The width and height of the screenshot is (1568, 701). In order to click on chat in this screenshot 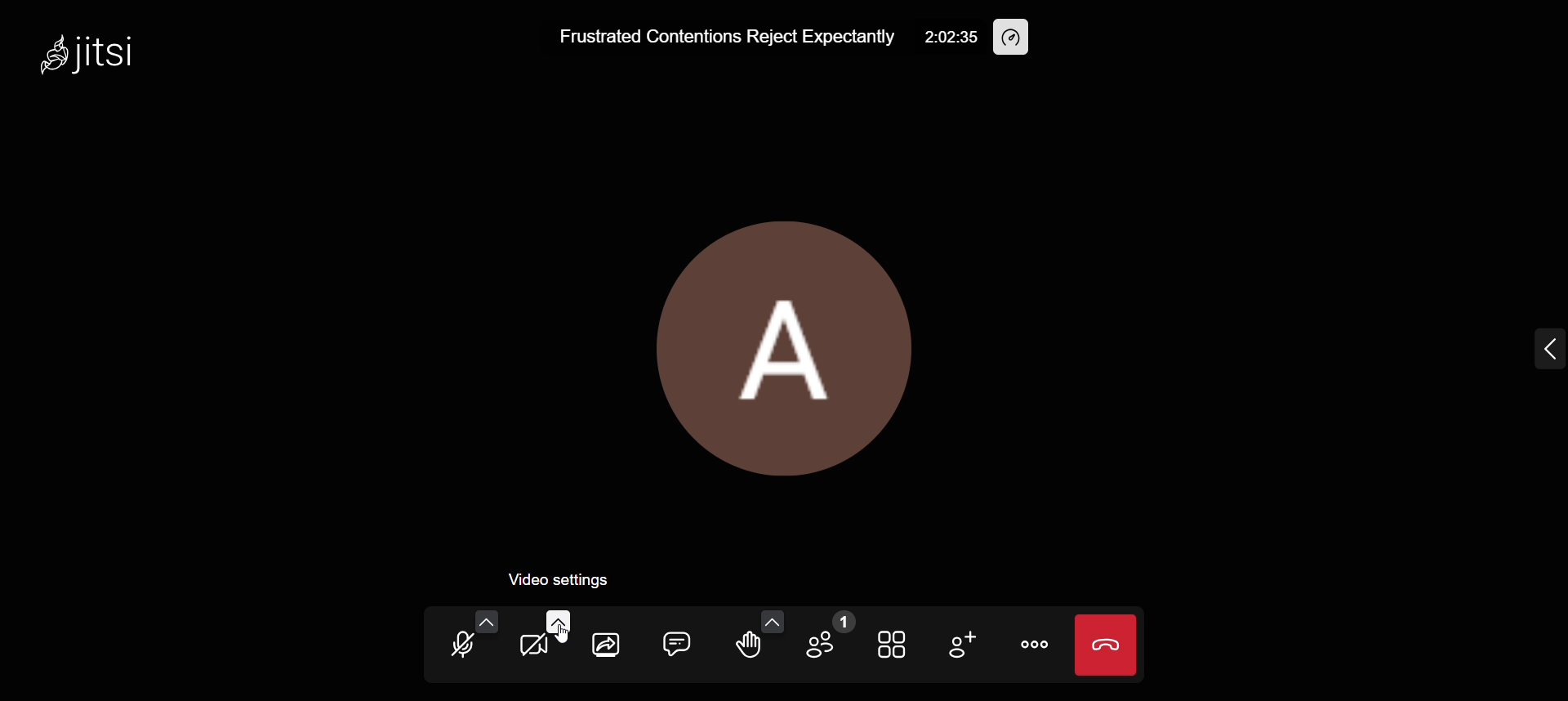, I will do `click(675, 643)`.